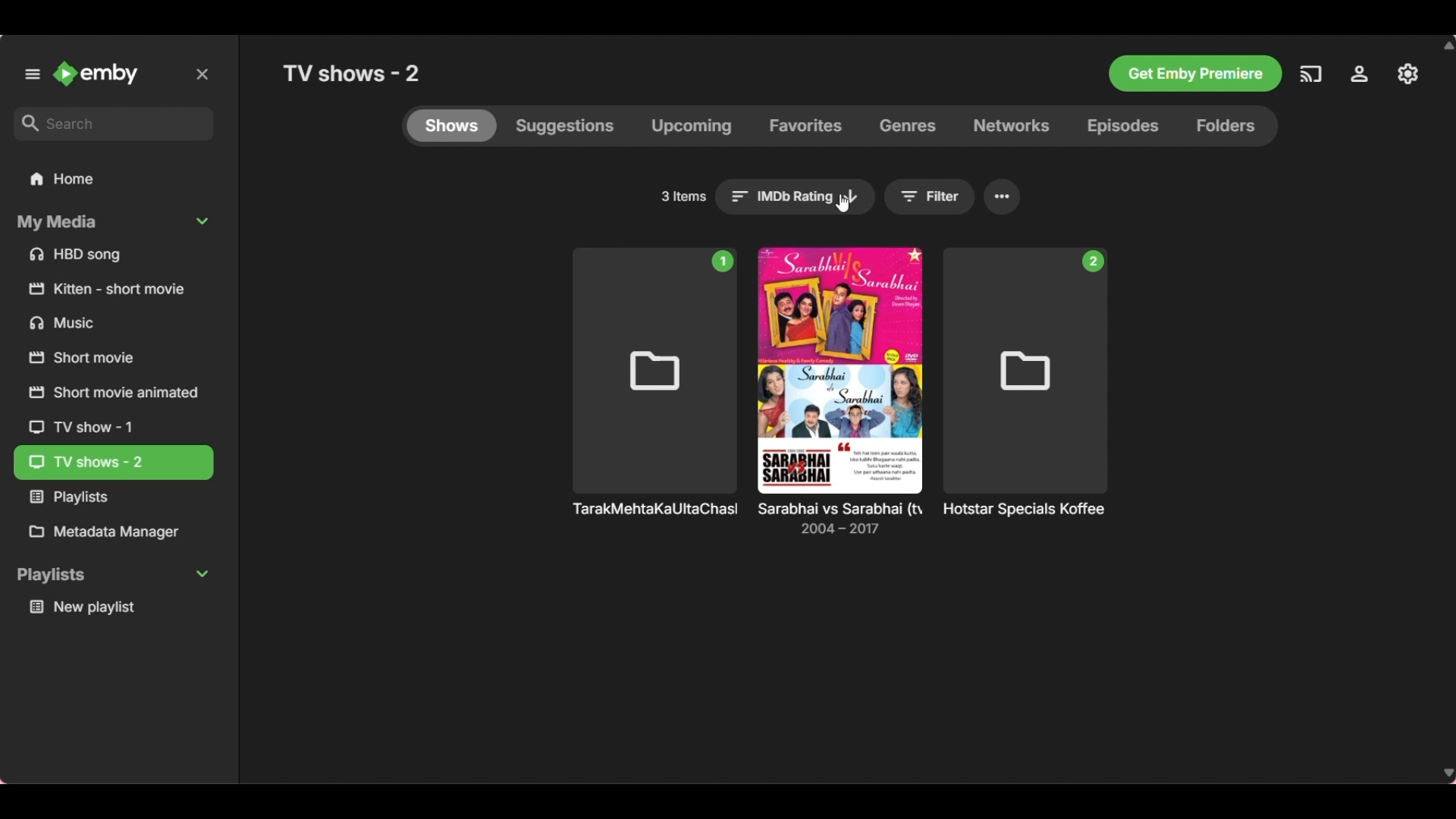 This screenshot has width=1456, height=819. What do you see at coordinates (1364, 74) in the screenshot?
I see `` at bounding box center [1364, 74].